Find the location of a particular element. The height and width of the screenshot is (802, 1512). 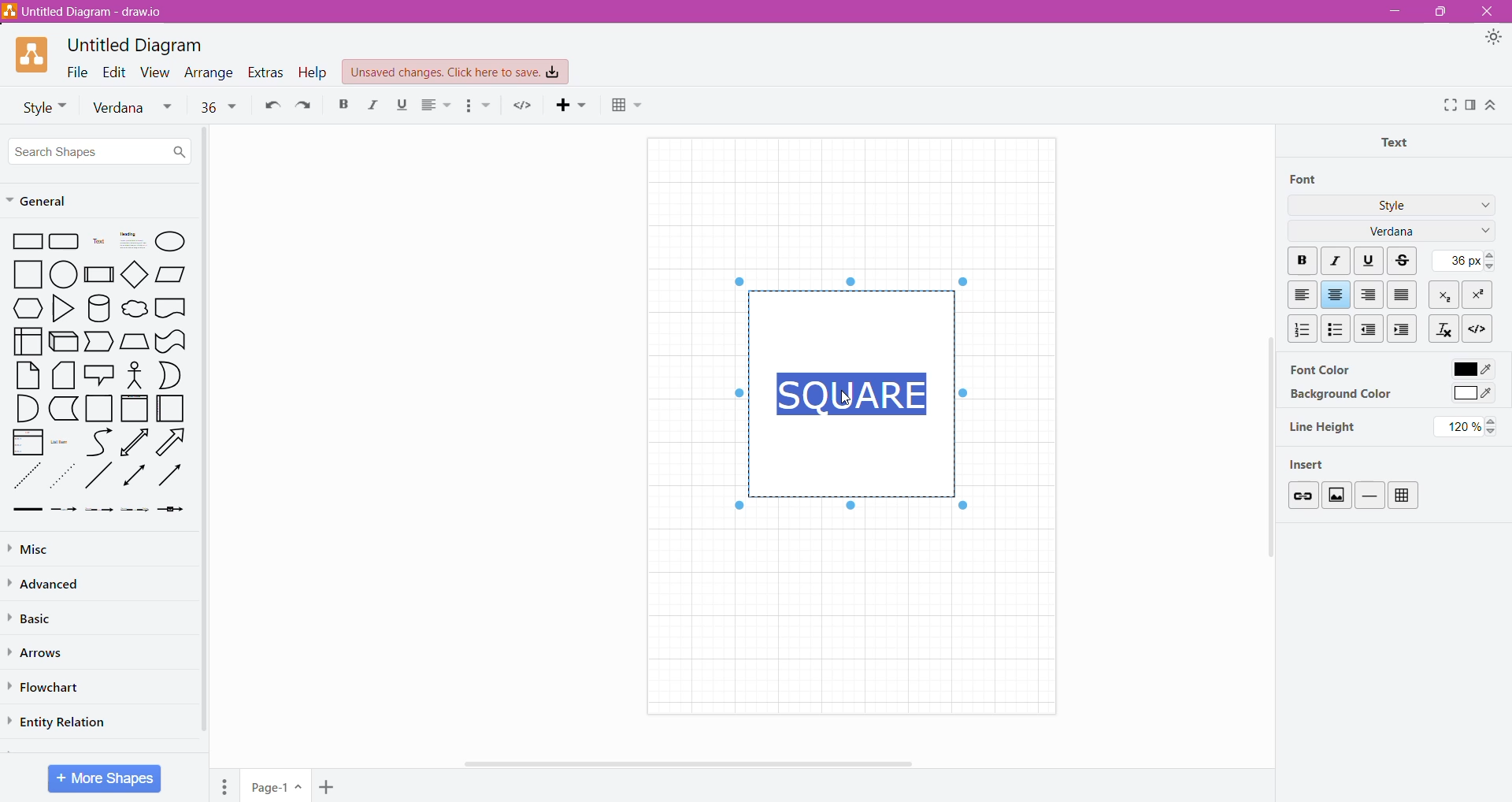

 is located at coordinates (1394, 231).